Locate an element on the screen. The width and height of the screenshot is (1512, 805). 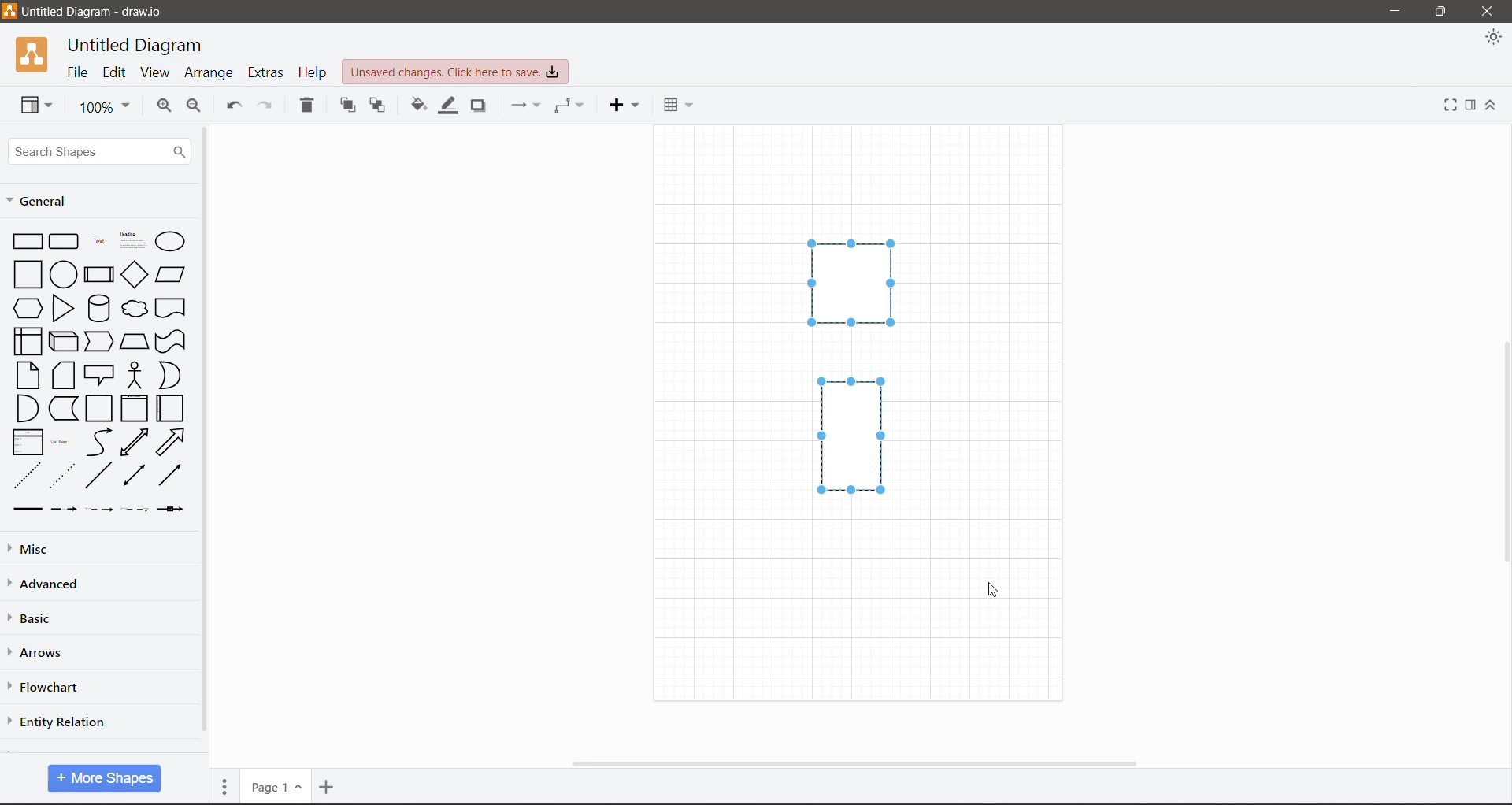
Unsaved Changes. Click here to save is located at coordinates (455, 73).